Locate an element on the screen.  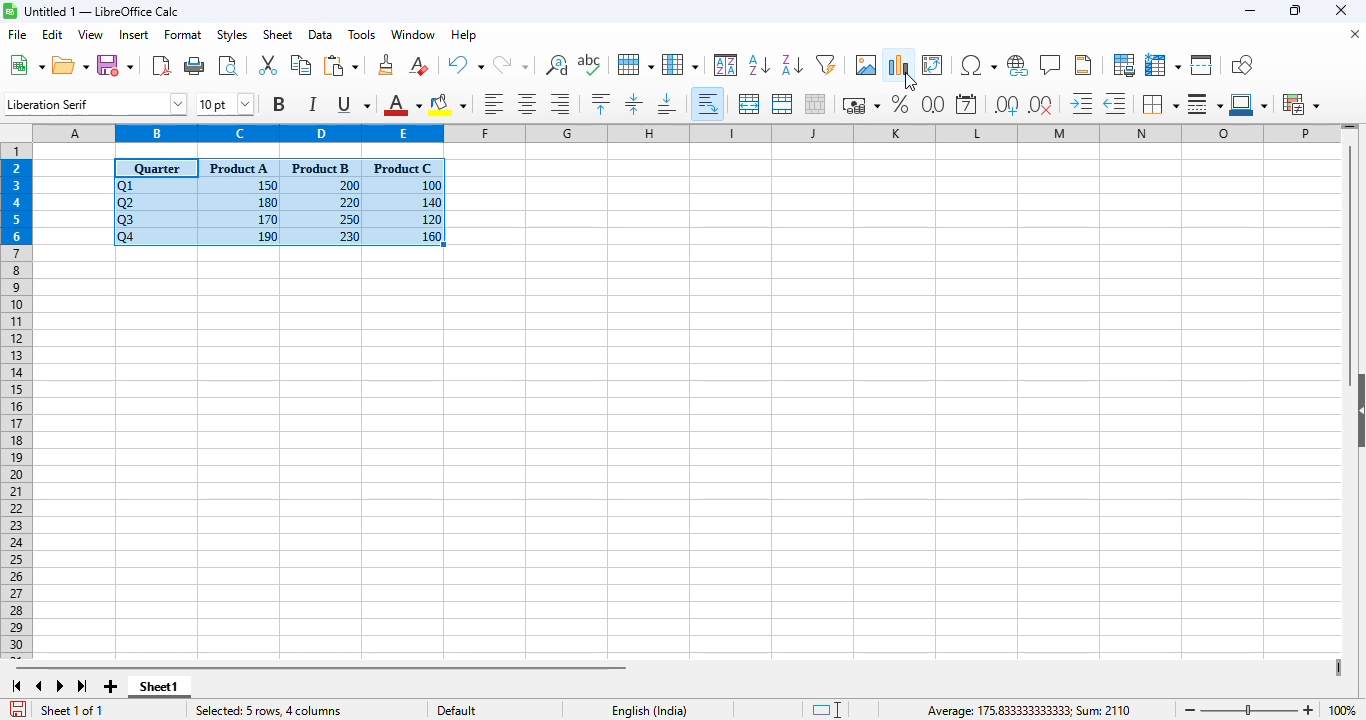
standard selection is located at coordinates (826, 710).